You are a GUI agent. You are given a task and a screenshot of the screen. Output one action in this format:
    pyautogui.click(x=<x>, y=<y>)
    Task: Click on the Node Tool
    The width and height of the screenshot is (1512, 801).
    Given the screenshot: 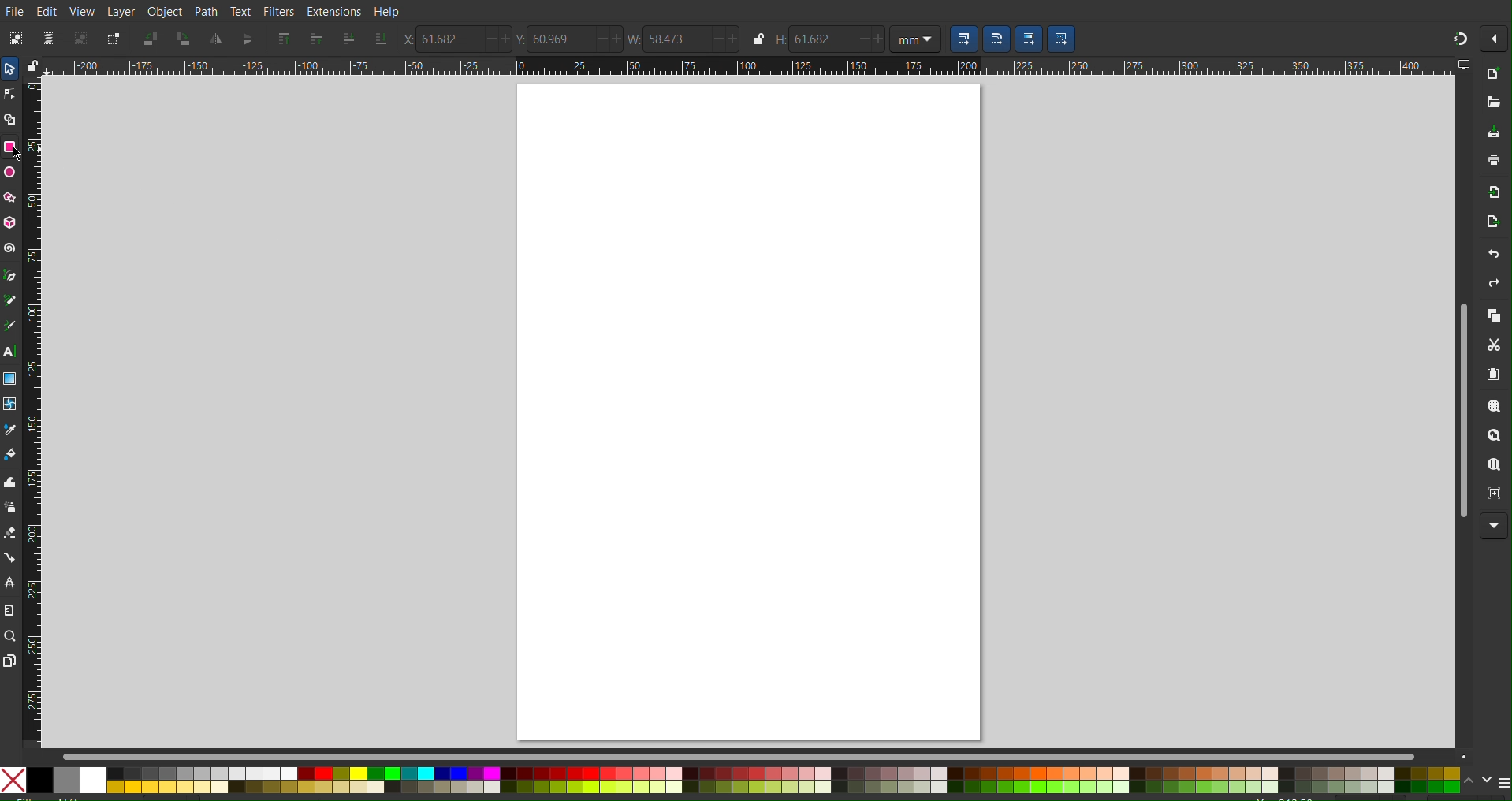 What is the action you would take?
    pyautogui.click(x=9, y=91)
    